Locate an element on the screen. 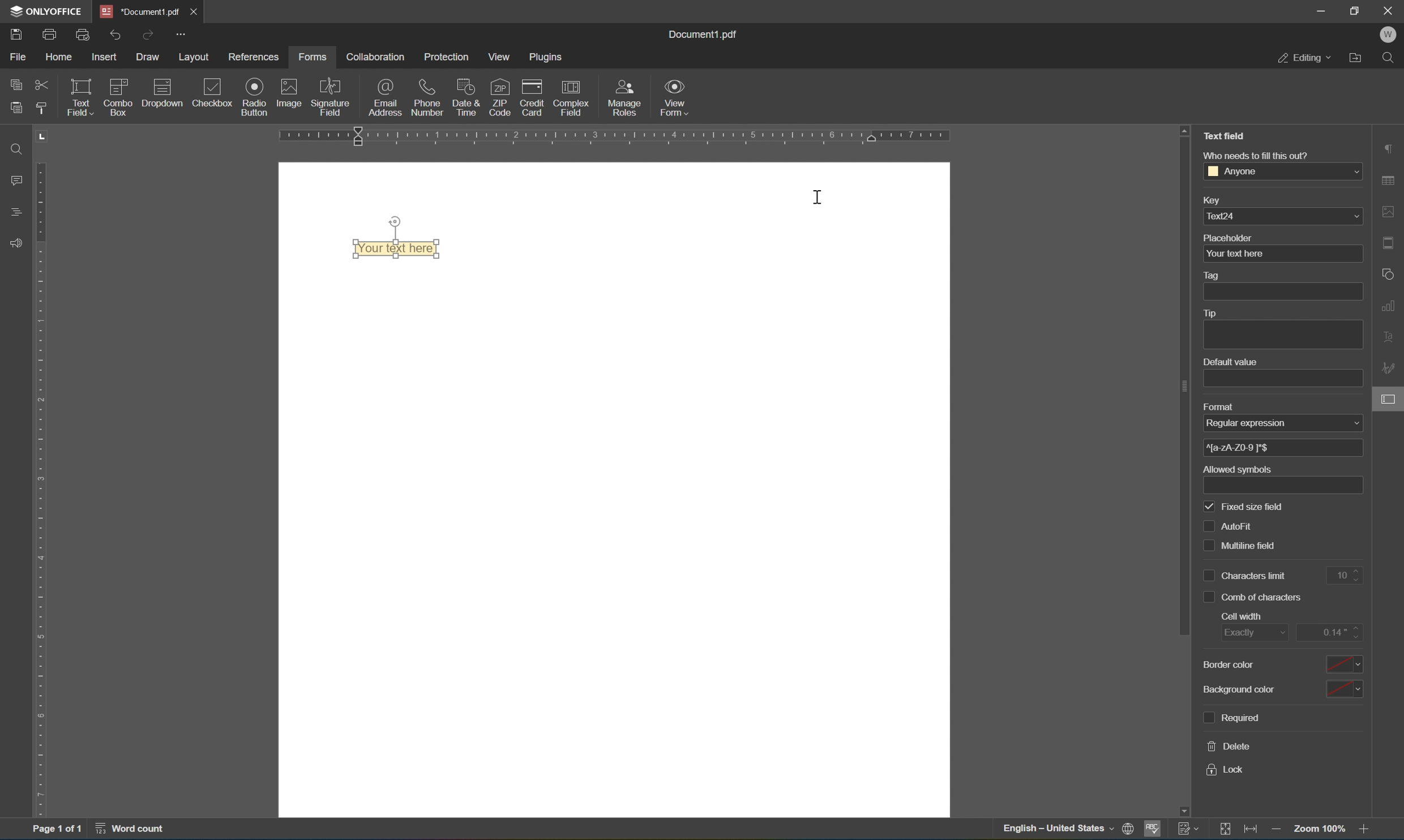 The width and height of the screenshot is (1404, 840). anyone is located at coordinates (1283, 170).